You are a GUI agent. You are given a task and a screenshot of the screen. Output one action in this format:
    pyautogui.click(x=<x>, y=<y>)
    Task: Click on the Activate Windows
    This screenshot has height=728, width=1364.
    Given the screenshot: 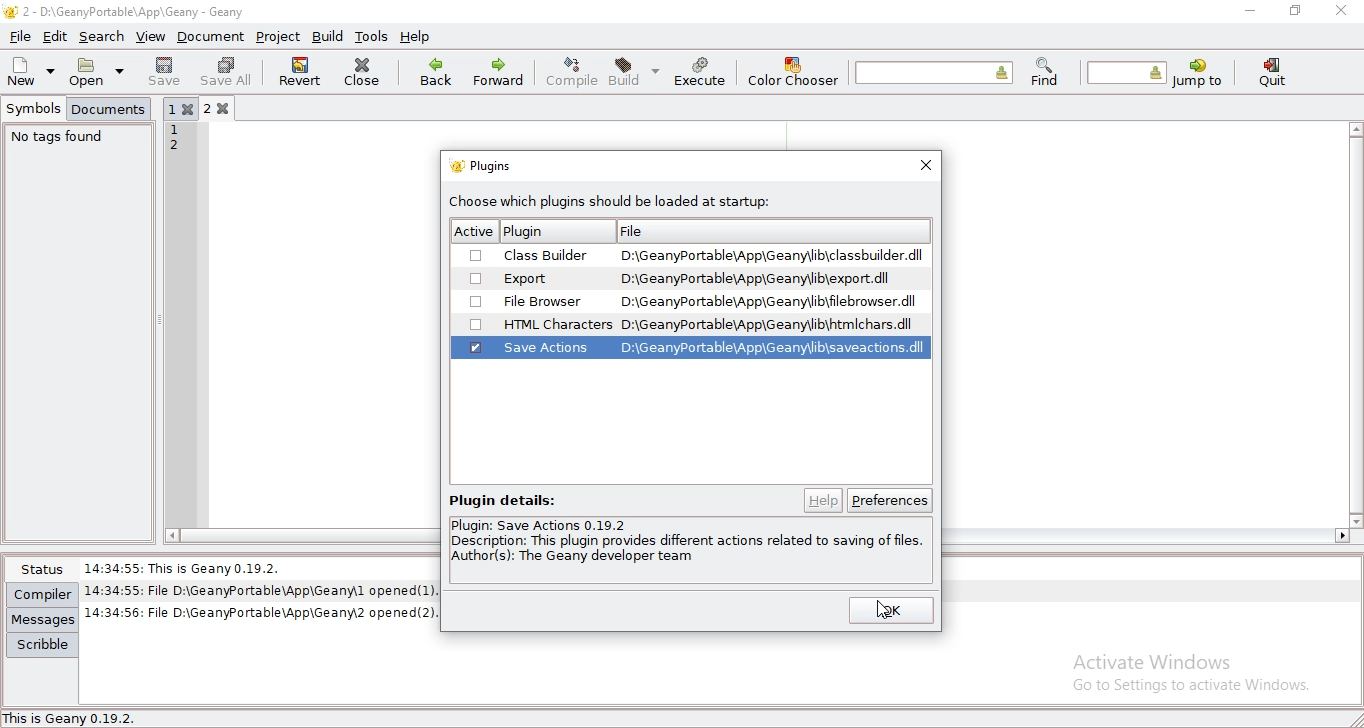 What is the action you would take?
    pyautogui.click(x=1159, y=660)
    